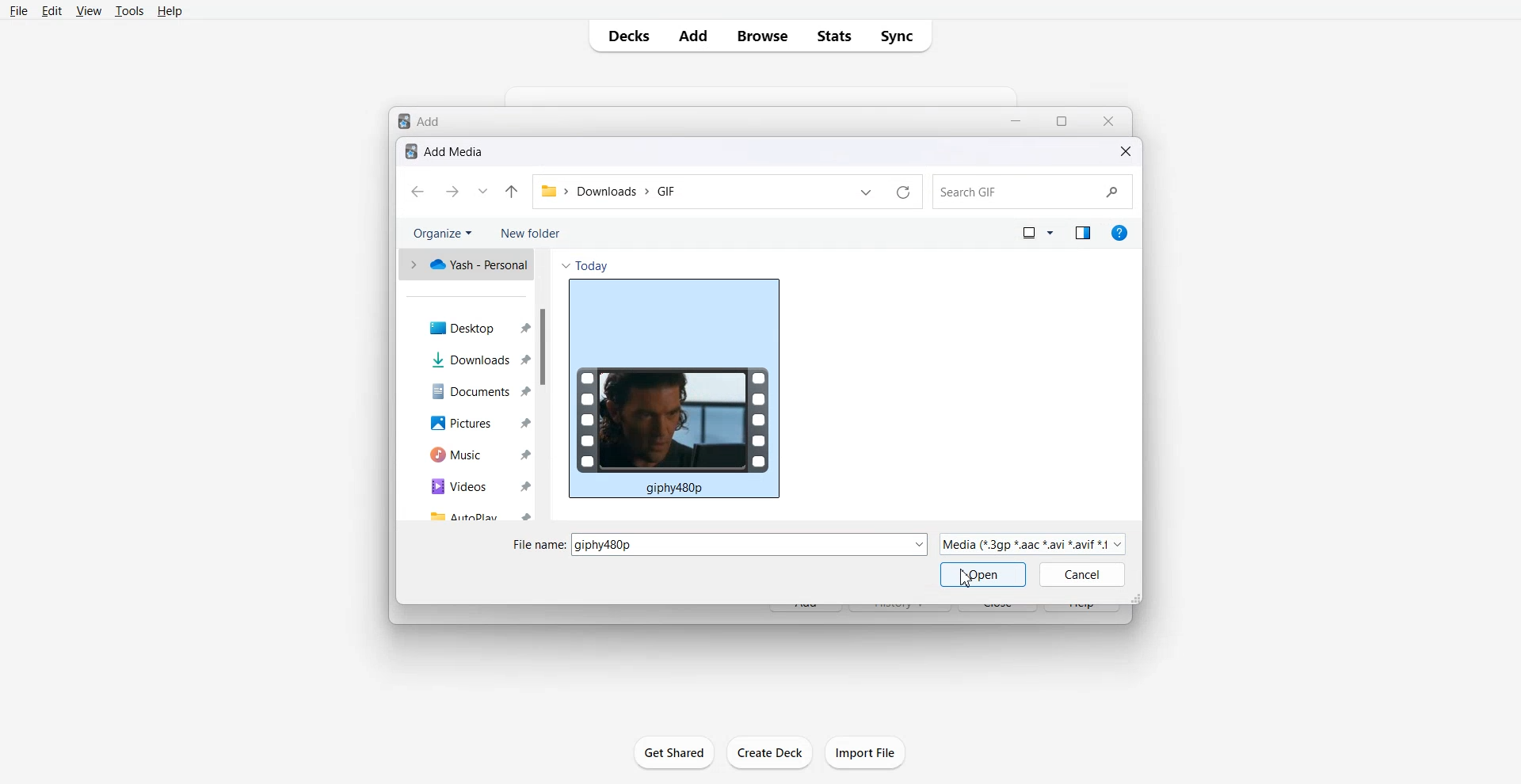 This screenshot has height=784, width=1521. I want to click on Browse, so click(760, 36).